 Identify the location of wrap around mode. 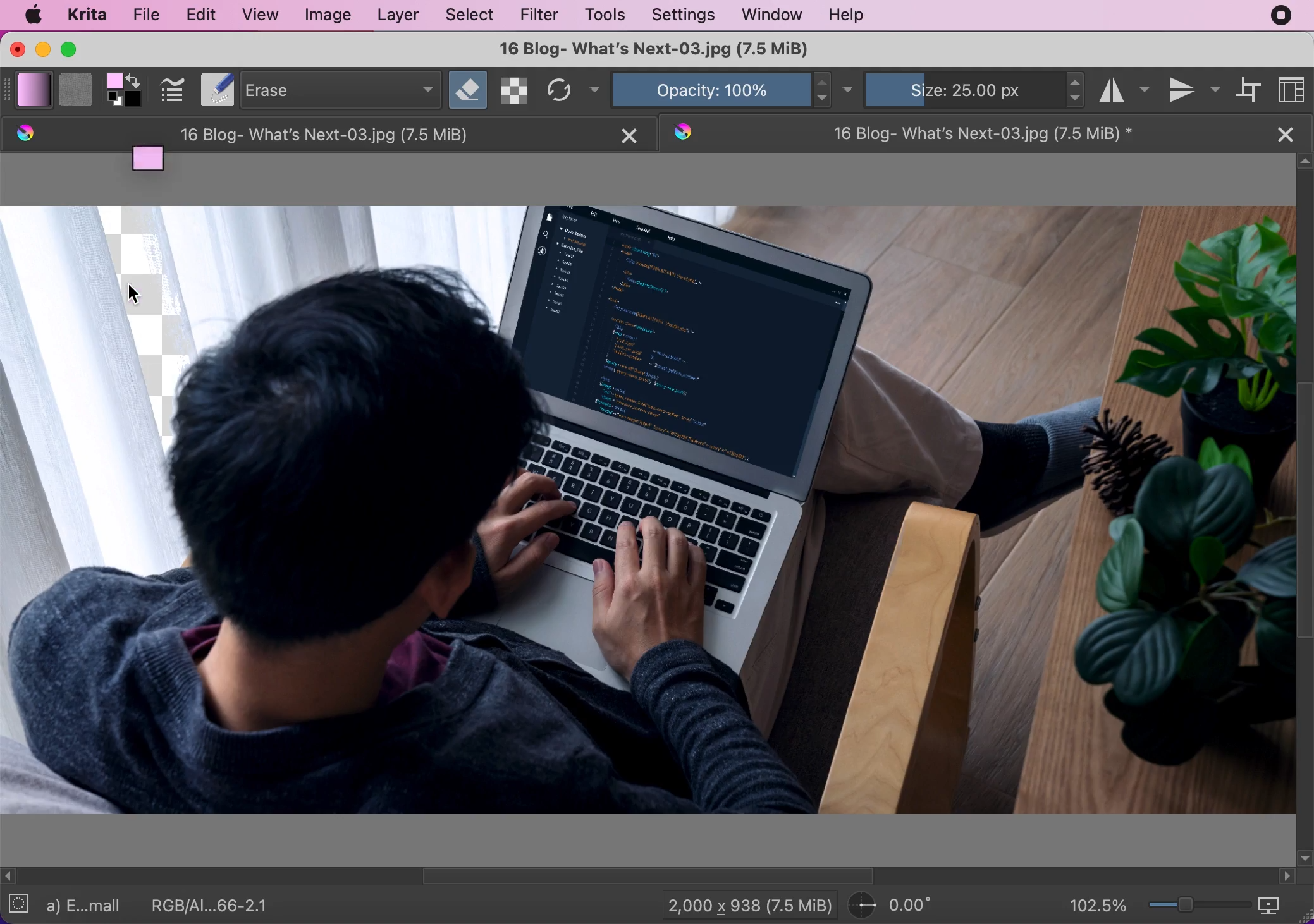
(1251, 91).